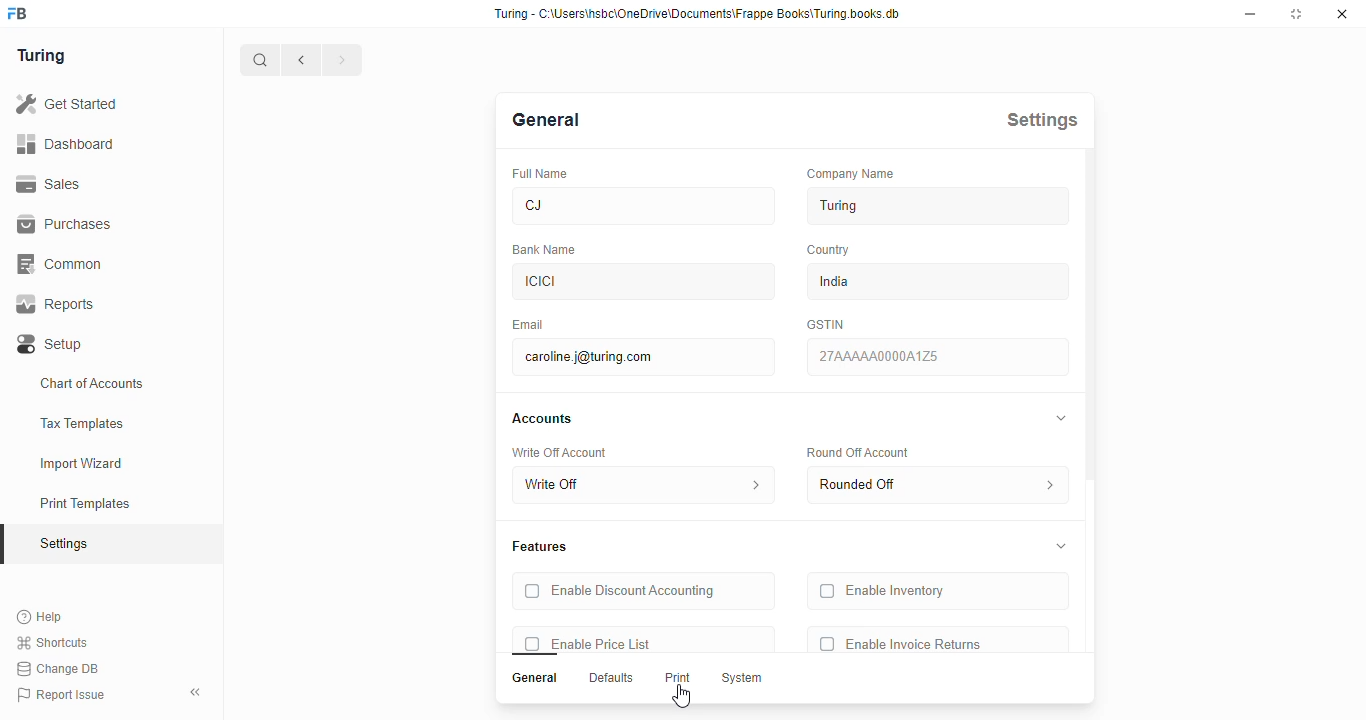  I want to click on Rounded Off, so click(938, 485).